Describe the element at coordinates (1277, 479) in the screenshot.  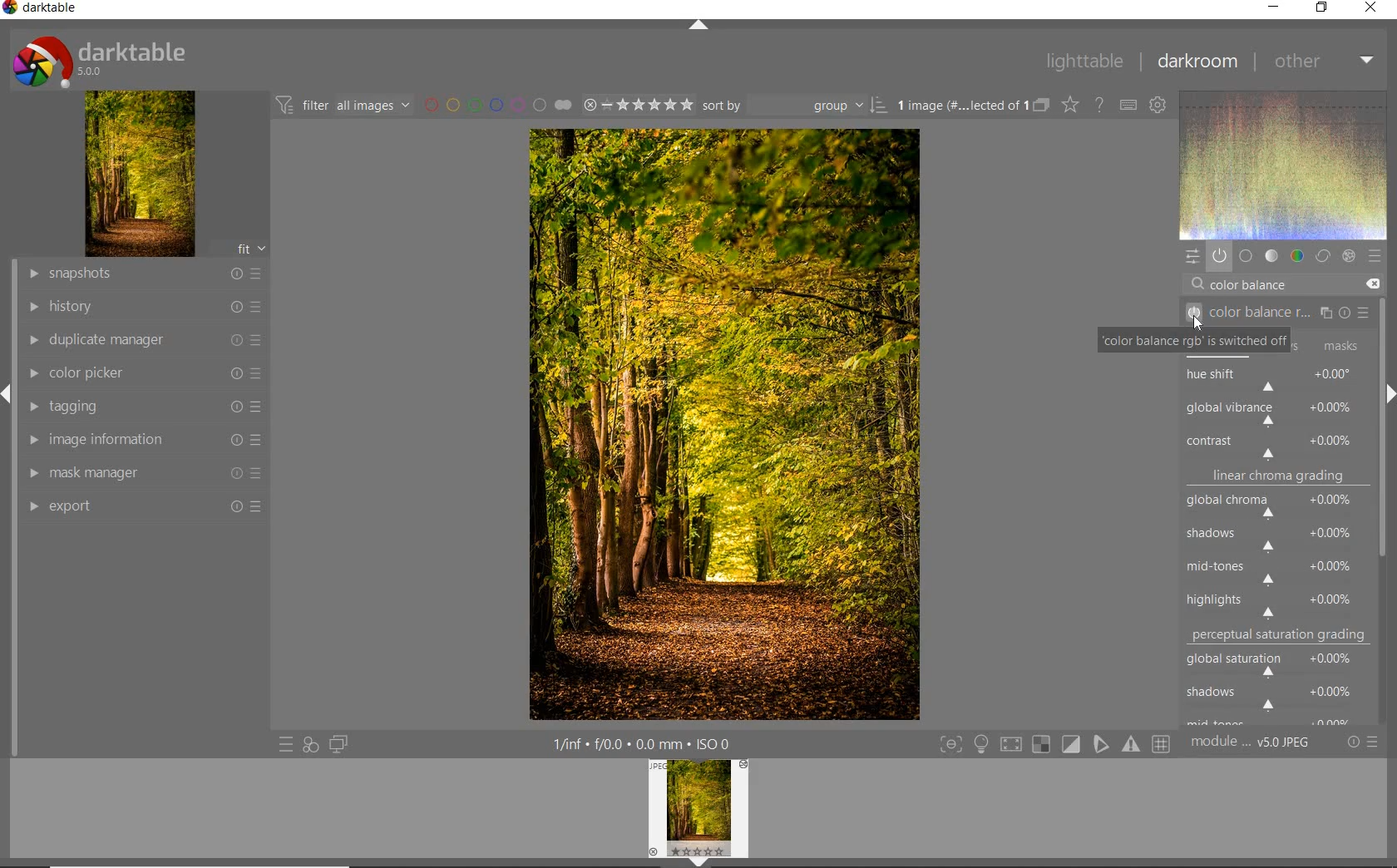
I see `linear chroma grading` at that location.